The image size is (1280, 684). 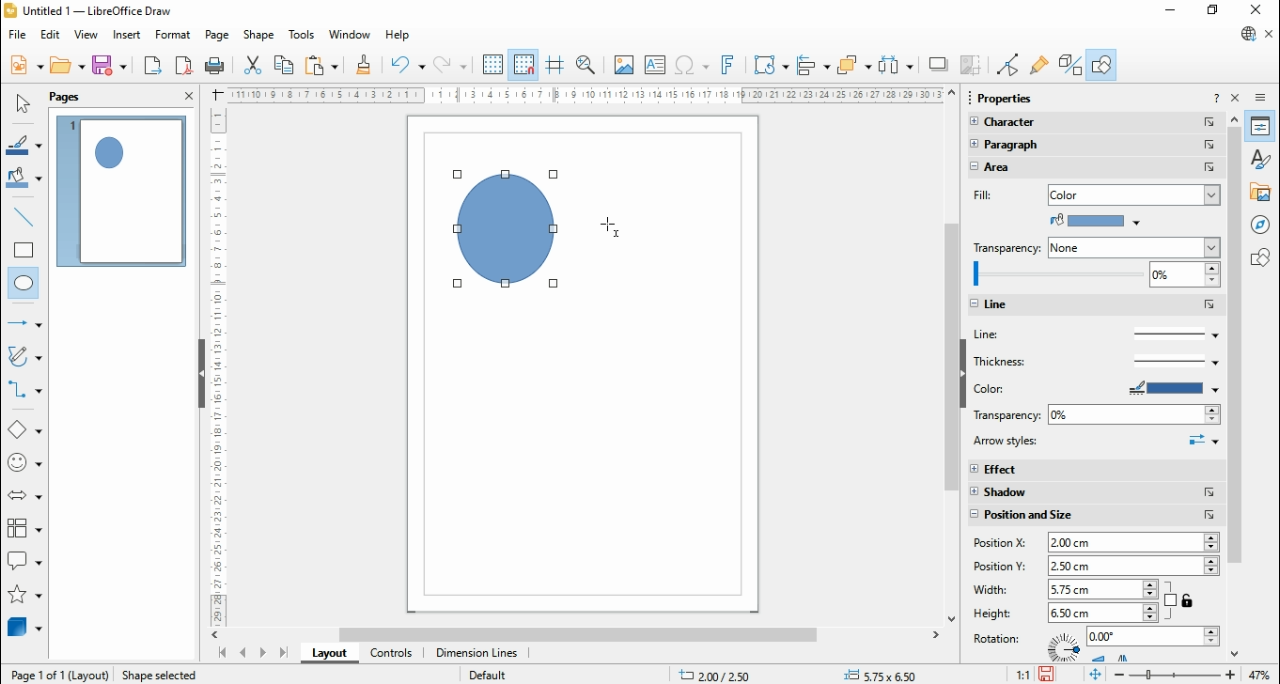 What do you see at coordinates (244, 653) in the screenshot?
I see `previous page` at bounding box center [244, 653].